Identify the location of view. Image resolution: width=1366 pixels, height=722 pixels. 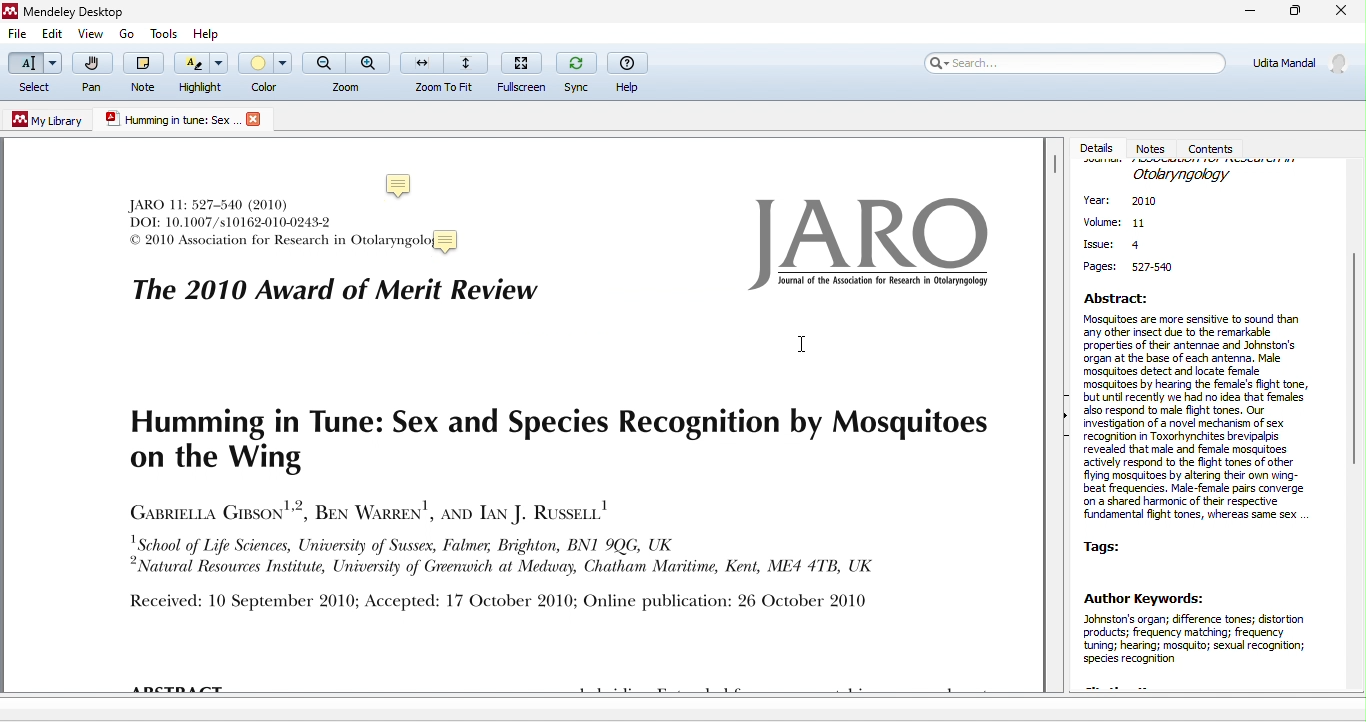
(91, 35).